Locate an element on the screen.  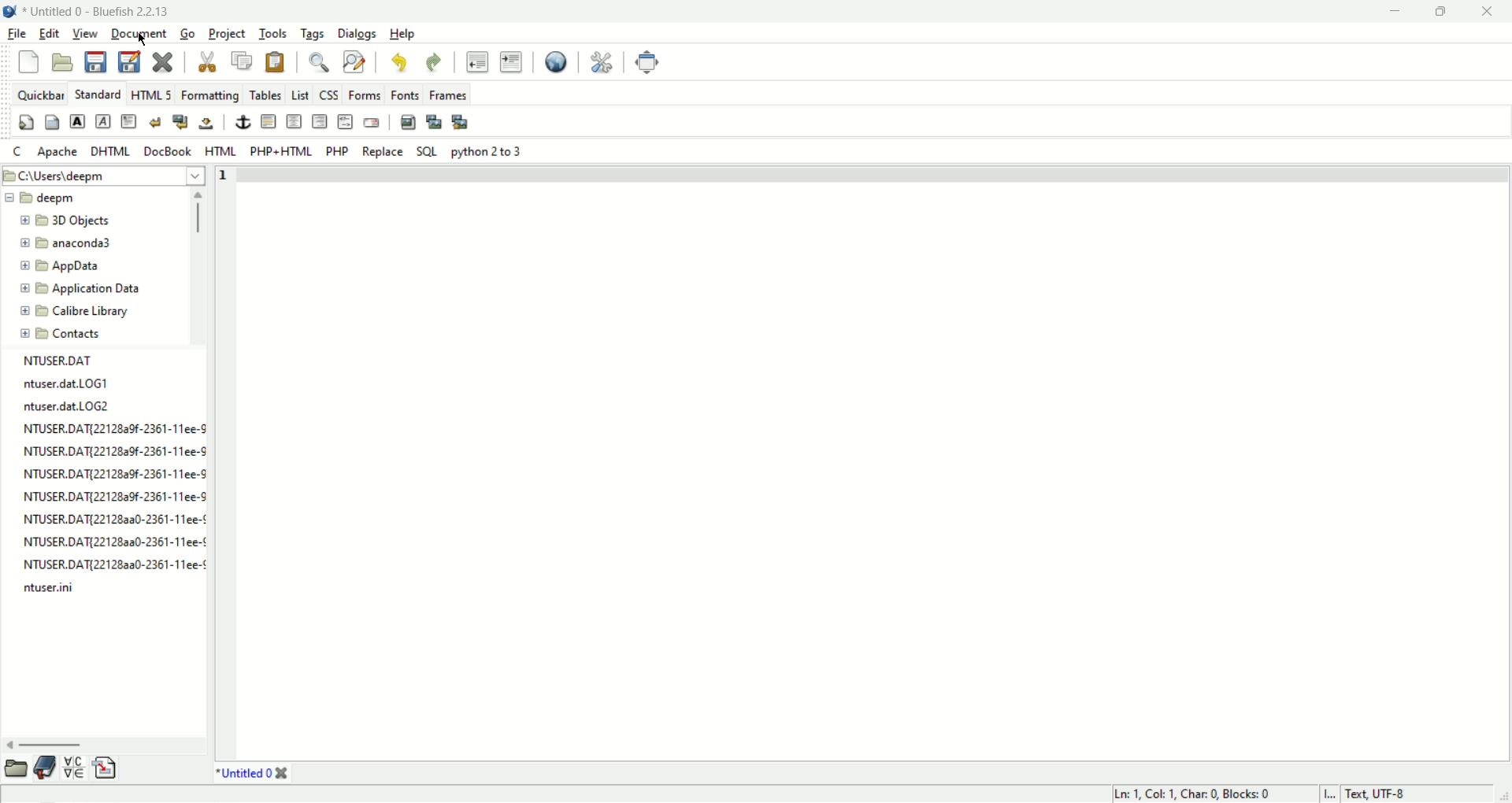
file is located at coordinates (17, 34).